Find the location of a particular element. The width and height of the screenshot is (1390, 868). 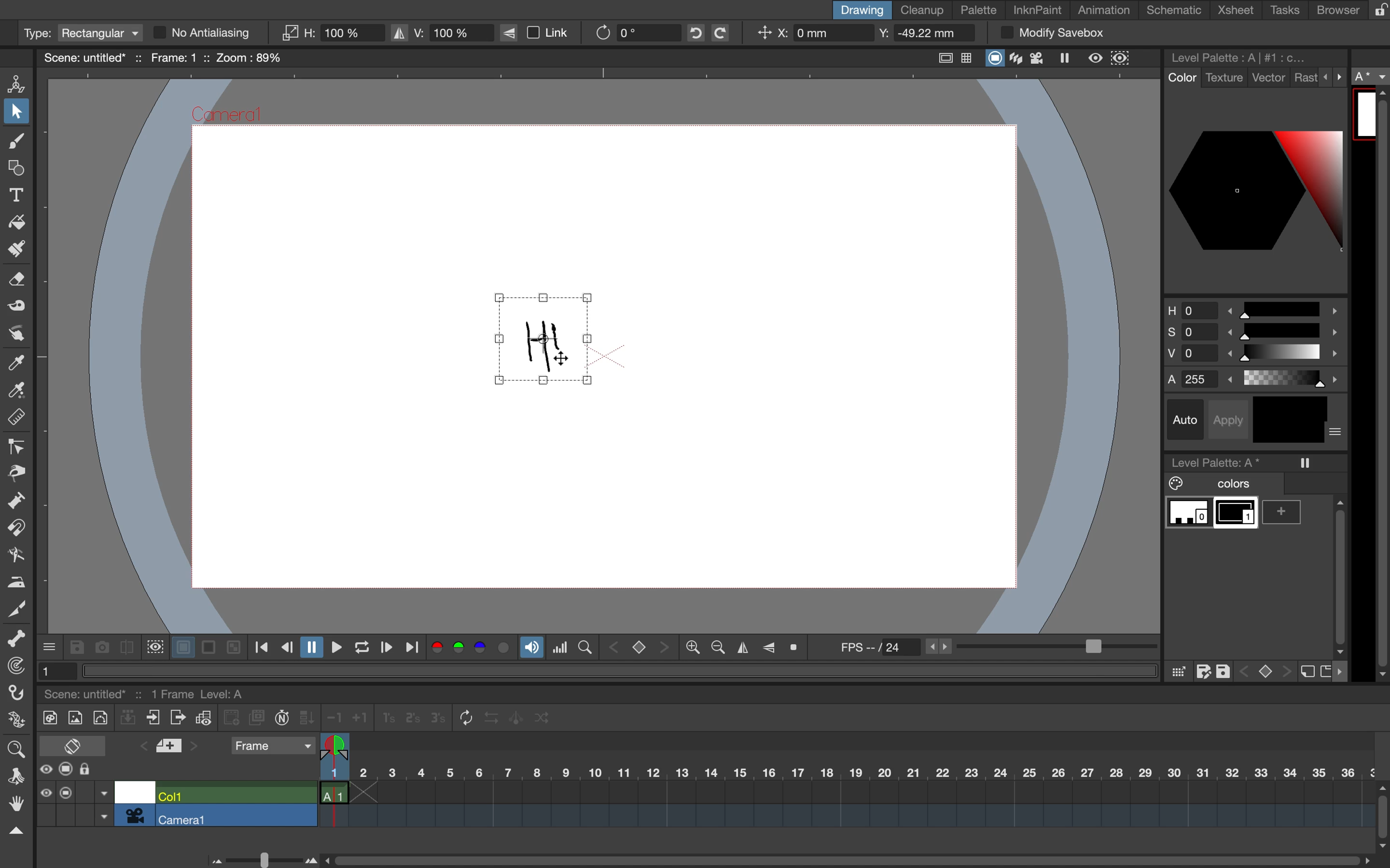

new page is located at coordinates (1325, 670).